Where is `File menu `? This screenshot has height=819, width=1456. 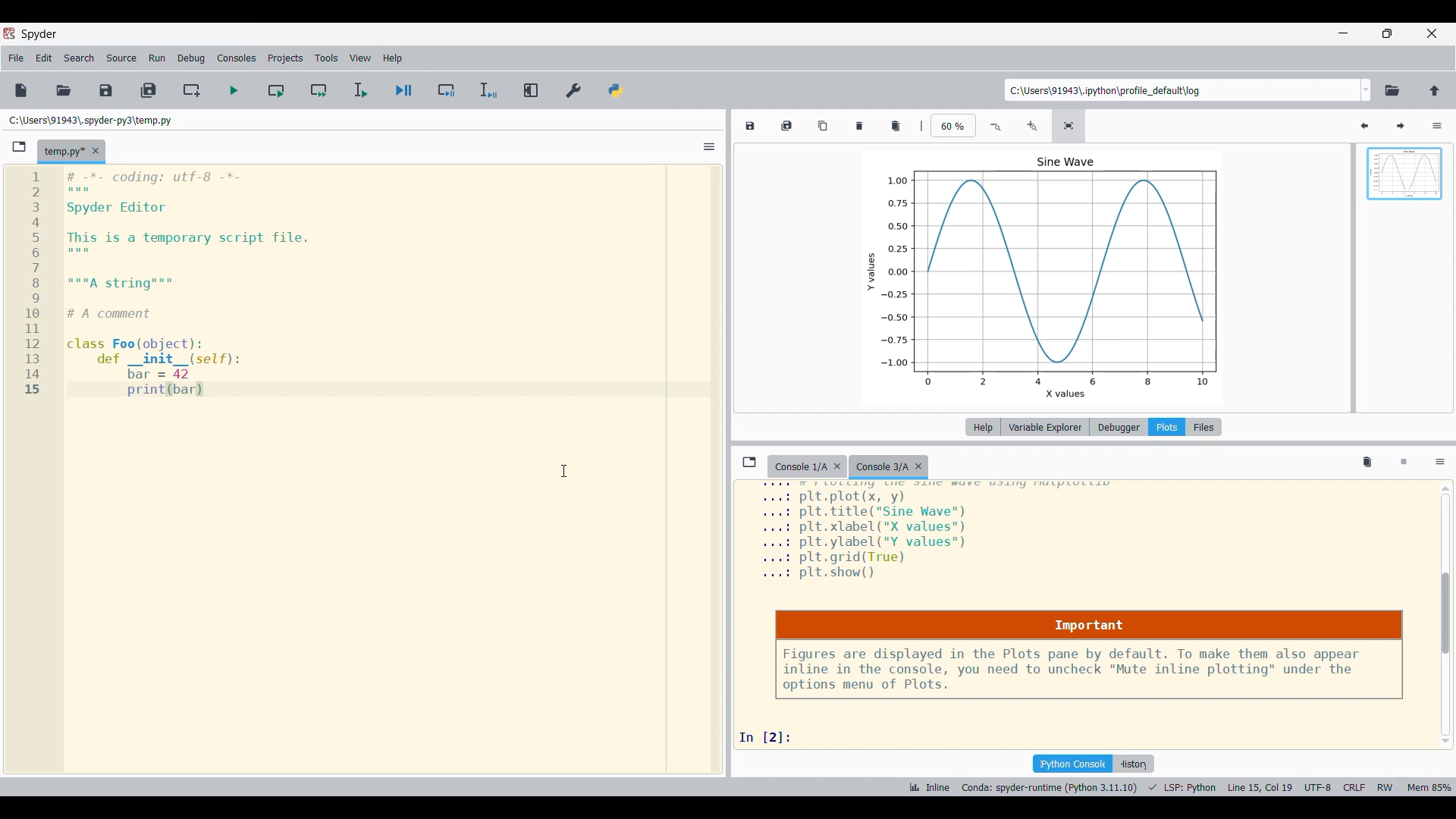 File menu  is located at coordinates (16, 58).